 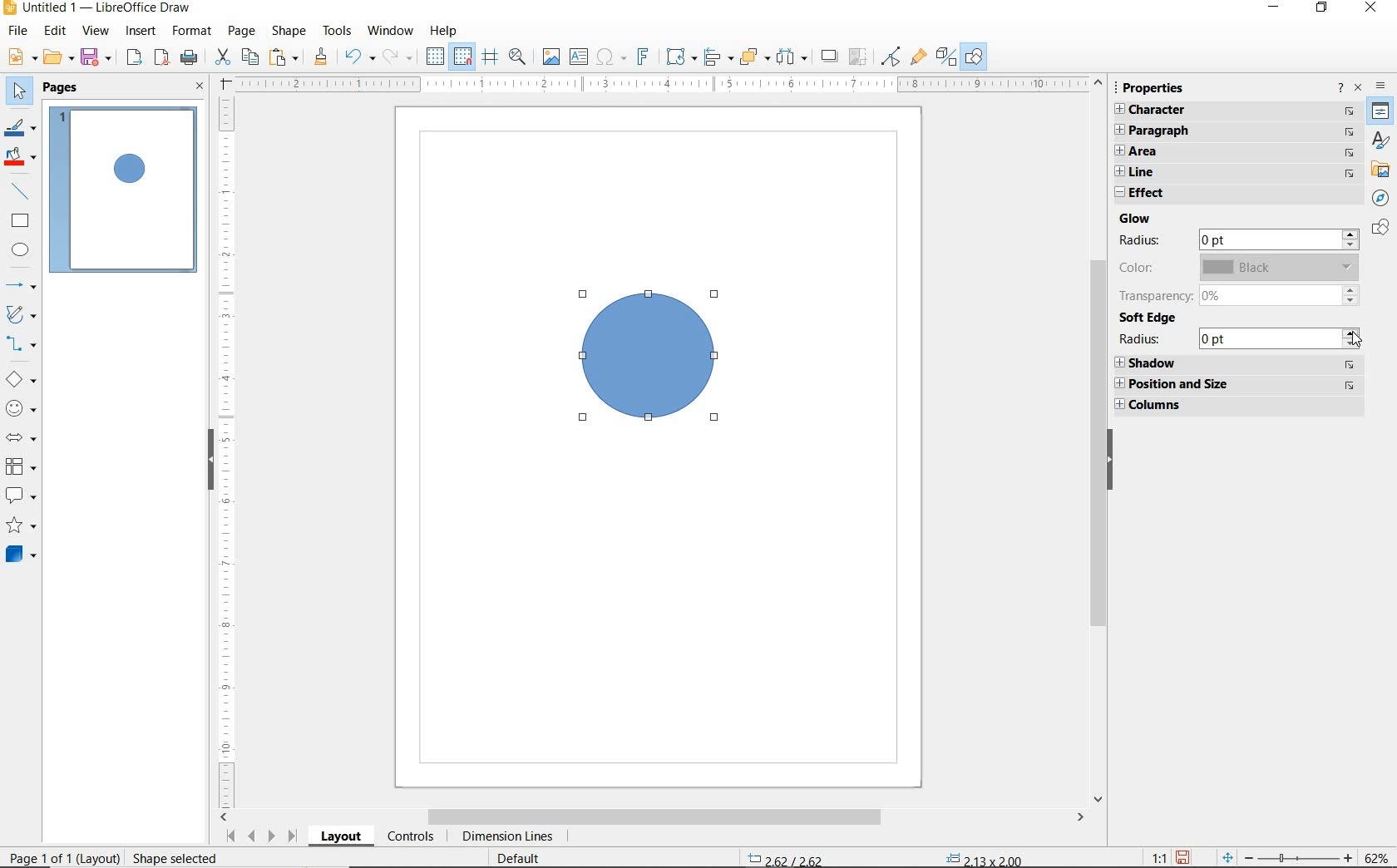 I want to click on increase/decrease arrows, so click(x=1354, y=337).